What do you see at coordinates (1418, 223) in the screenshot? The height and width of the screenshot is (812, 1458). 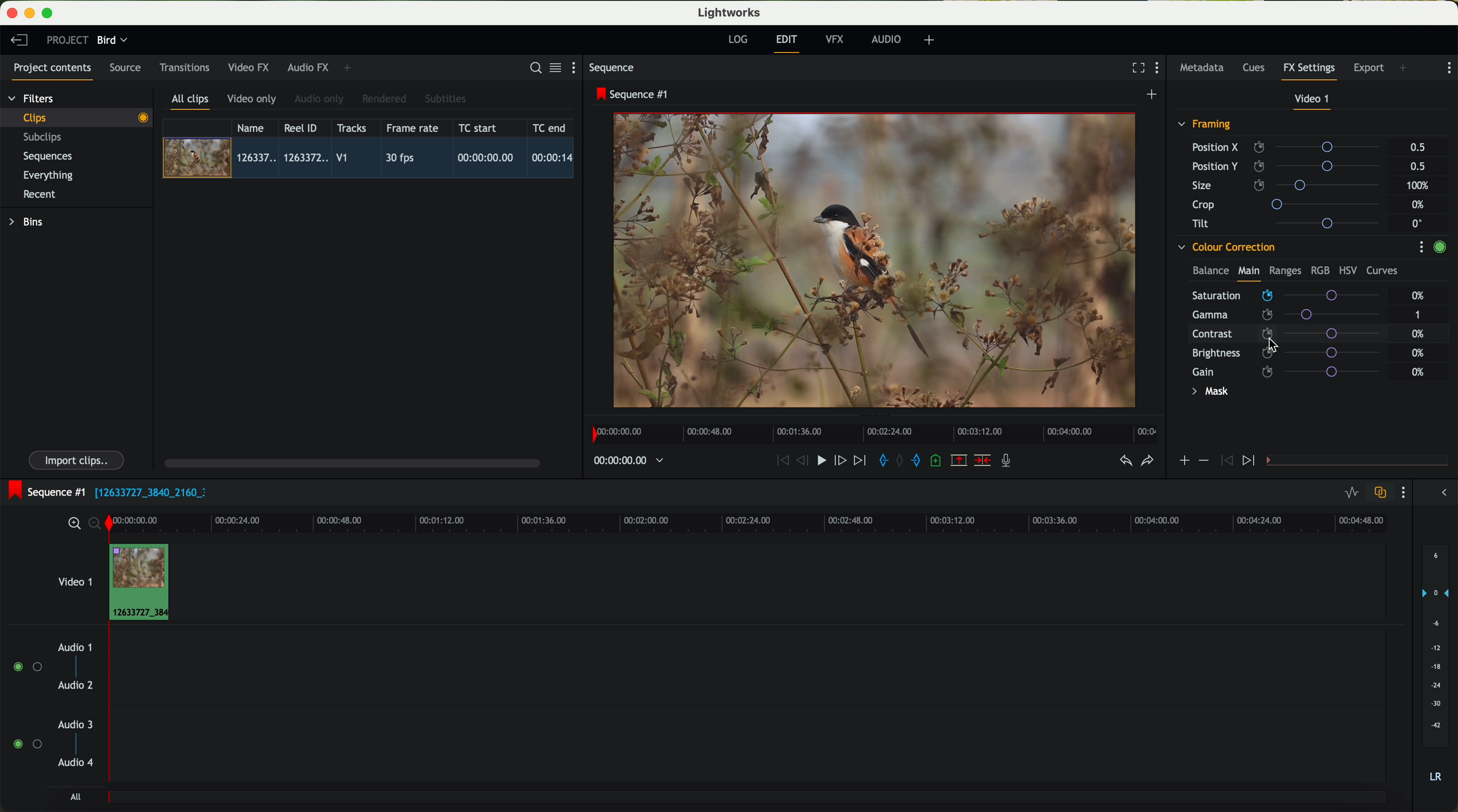 I see `0°` at bounding box center [1418, 223].